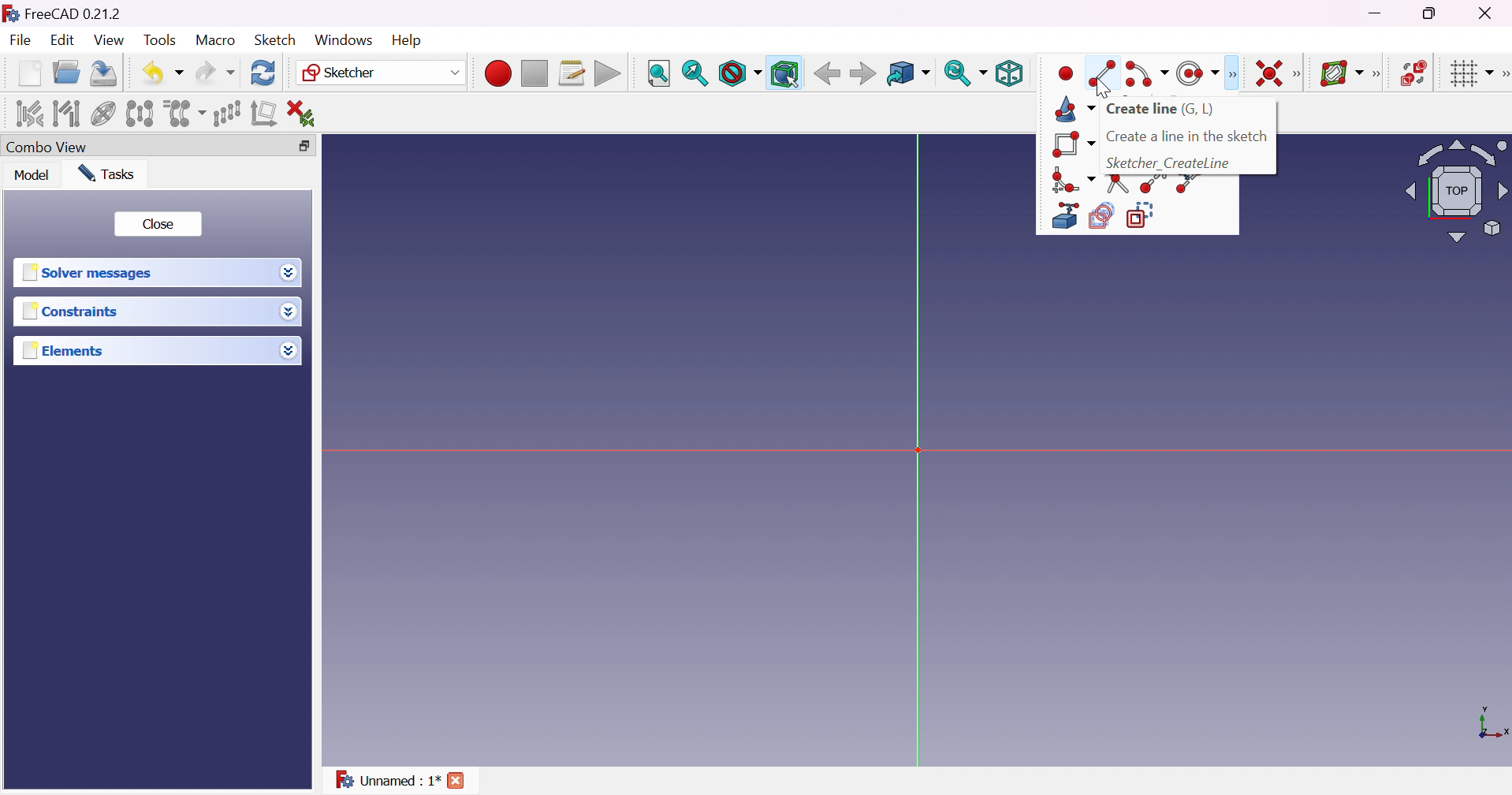 The width and height of the screenshot is (1512, 795). I want to click on Elements, so click(72, 351).